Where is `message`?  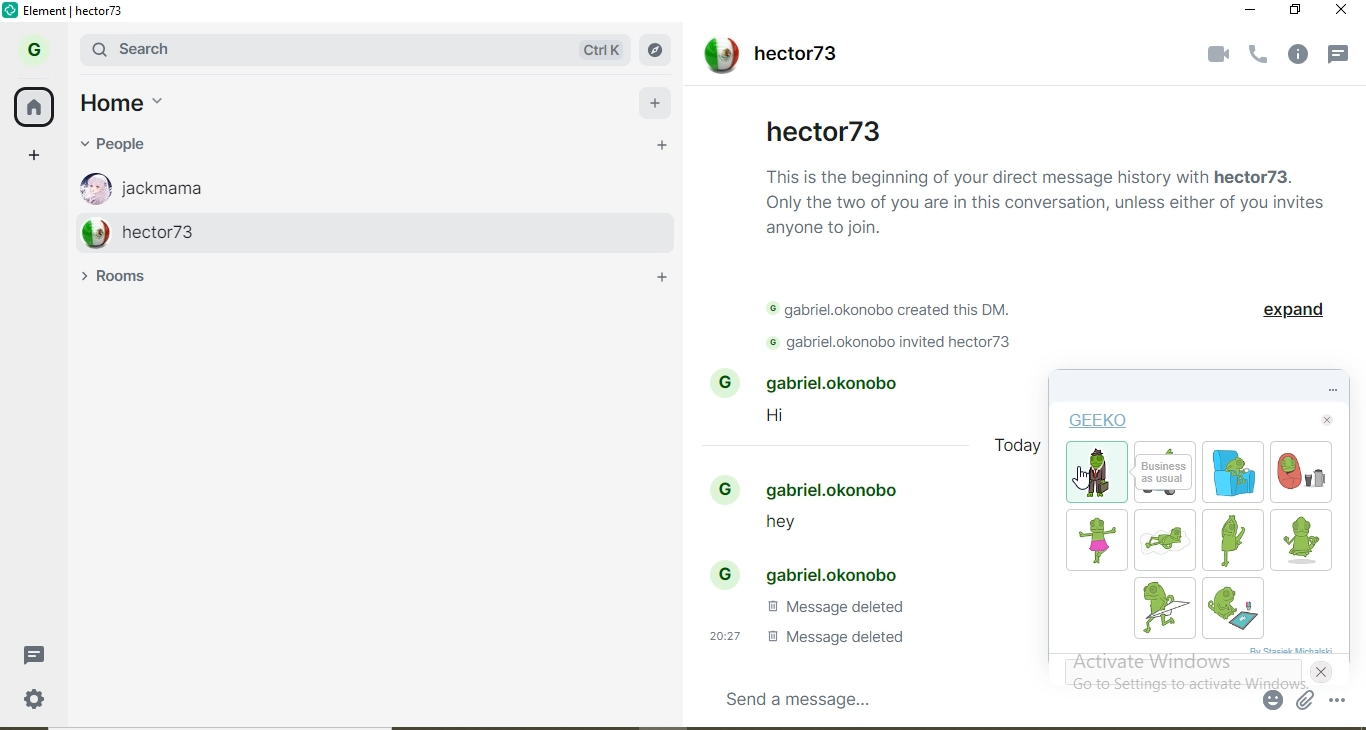
message is located at coordinates (42, 654).